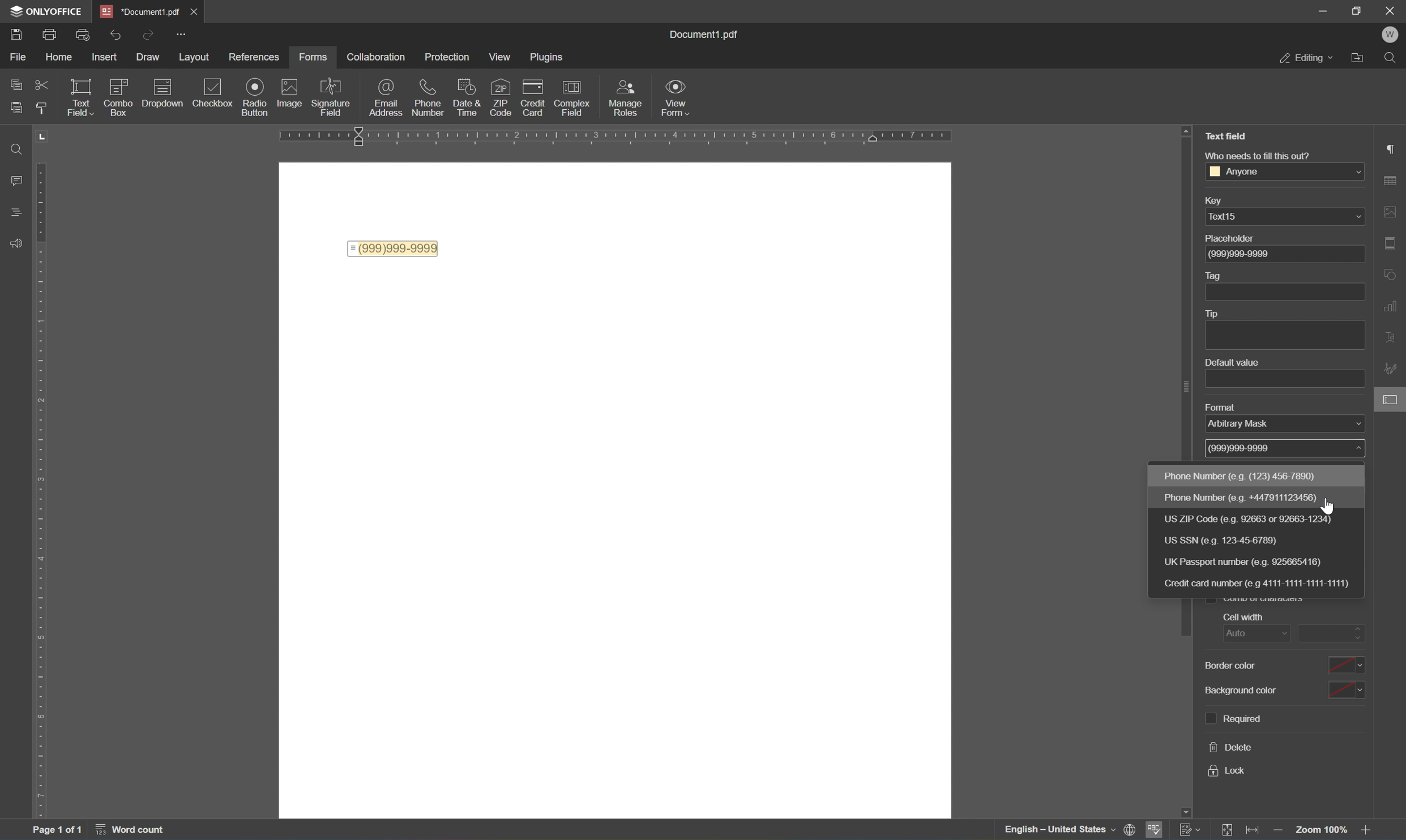 This screenshot has height=840, width=1406. Describe the element at coordinates (58, 59) in the screenshot. I see `home` at that location.